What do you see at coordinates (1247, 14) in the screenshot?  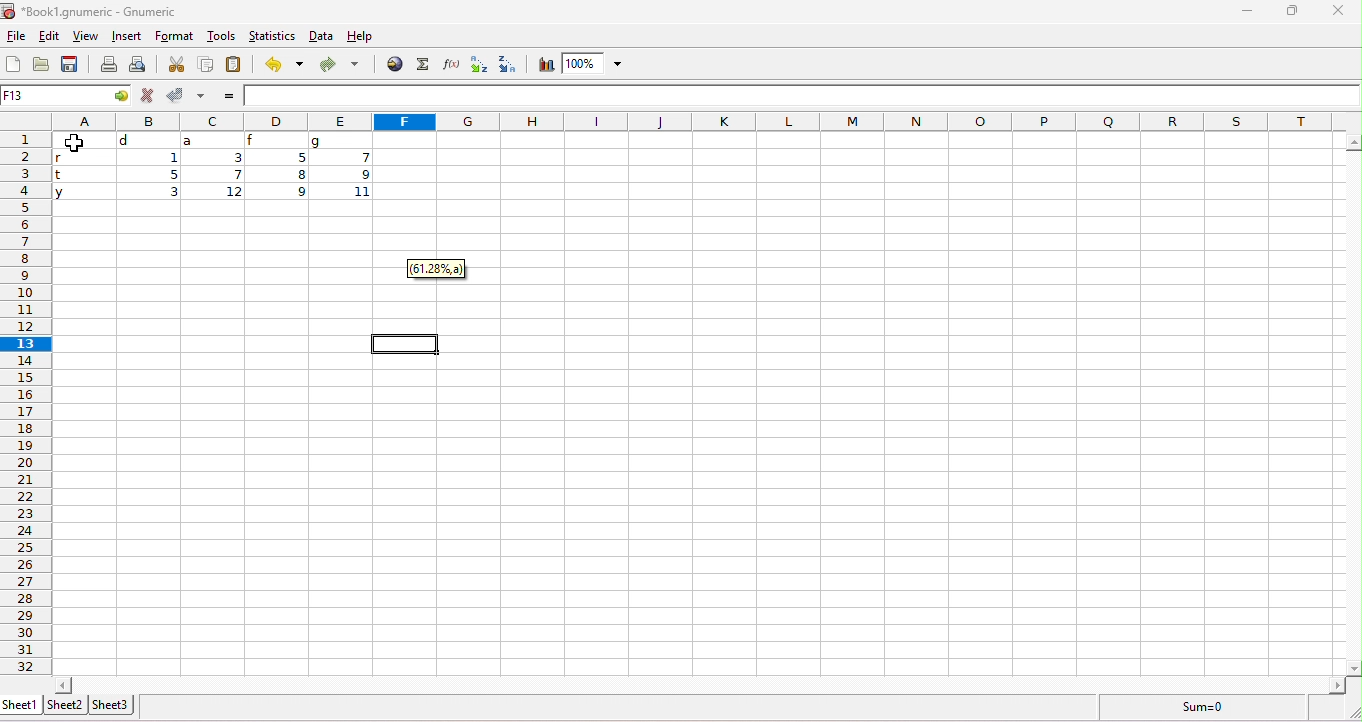 I see `minimize` at bounding box center [1247, 14].